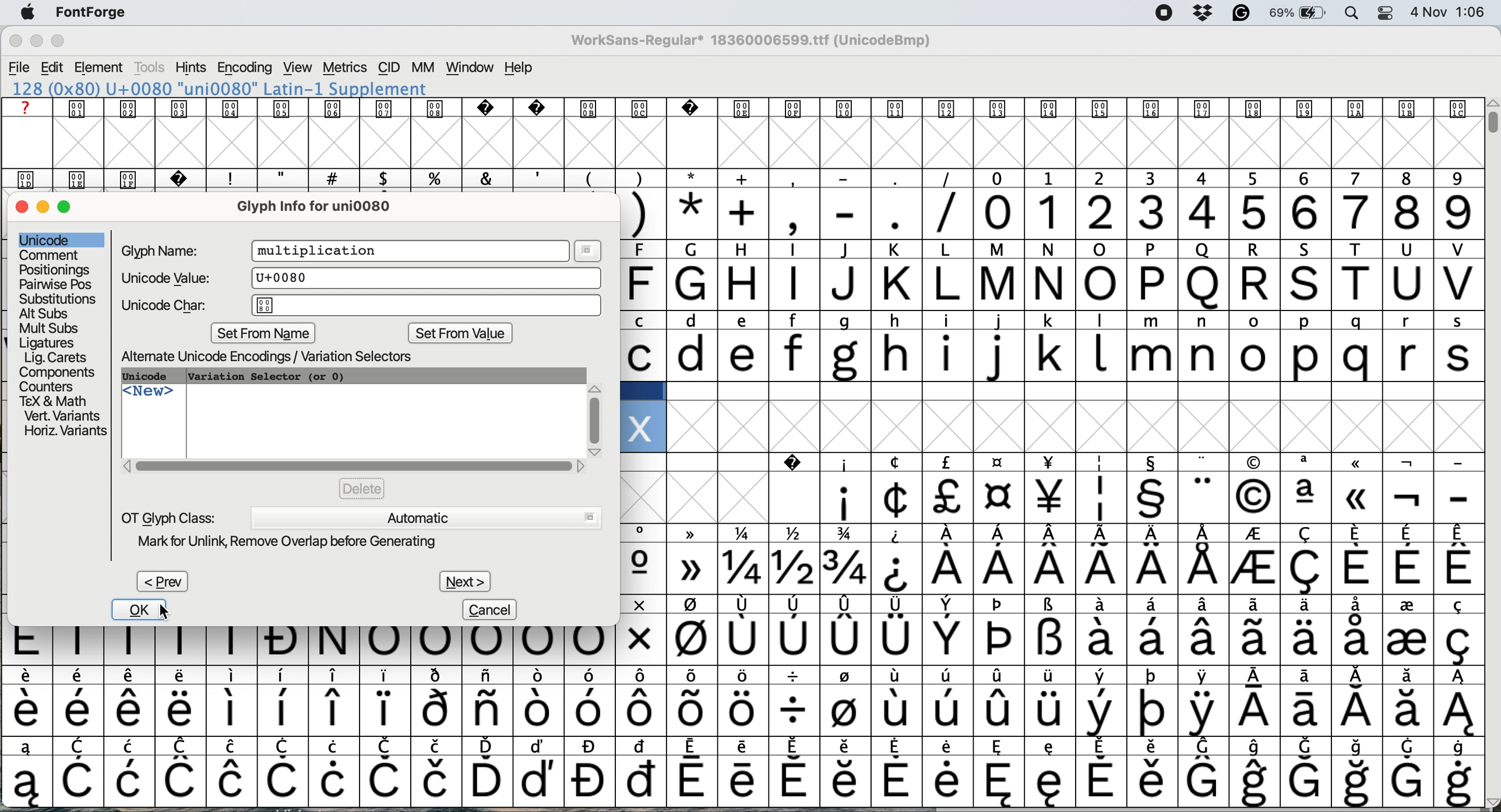 The height and width of the screenshot is (812, 1501). What do you see at coordinates (33, 13) in the screenshot?
I see `system logo` at bounding box center [33, 13].